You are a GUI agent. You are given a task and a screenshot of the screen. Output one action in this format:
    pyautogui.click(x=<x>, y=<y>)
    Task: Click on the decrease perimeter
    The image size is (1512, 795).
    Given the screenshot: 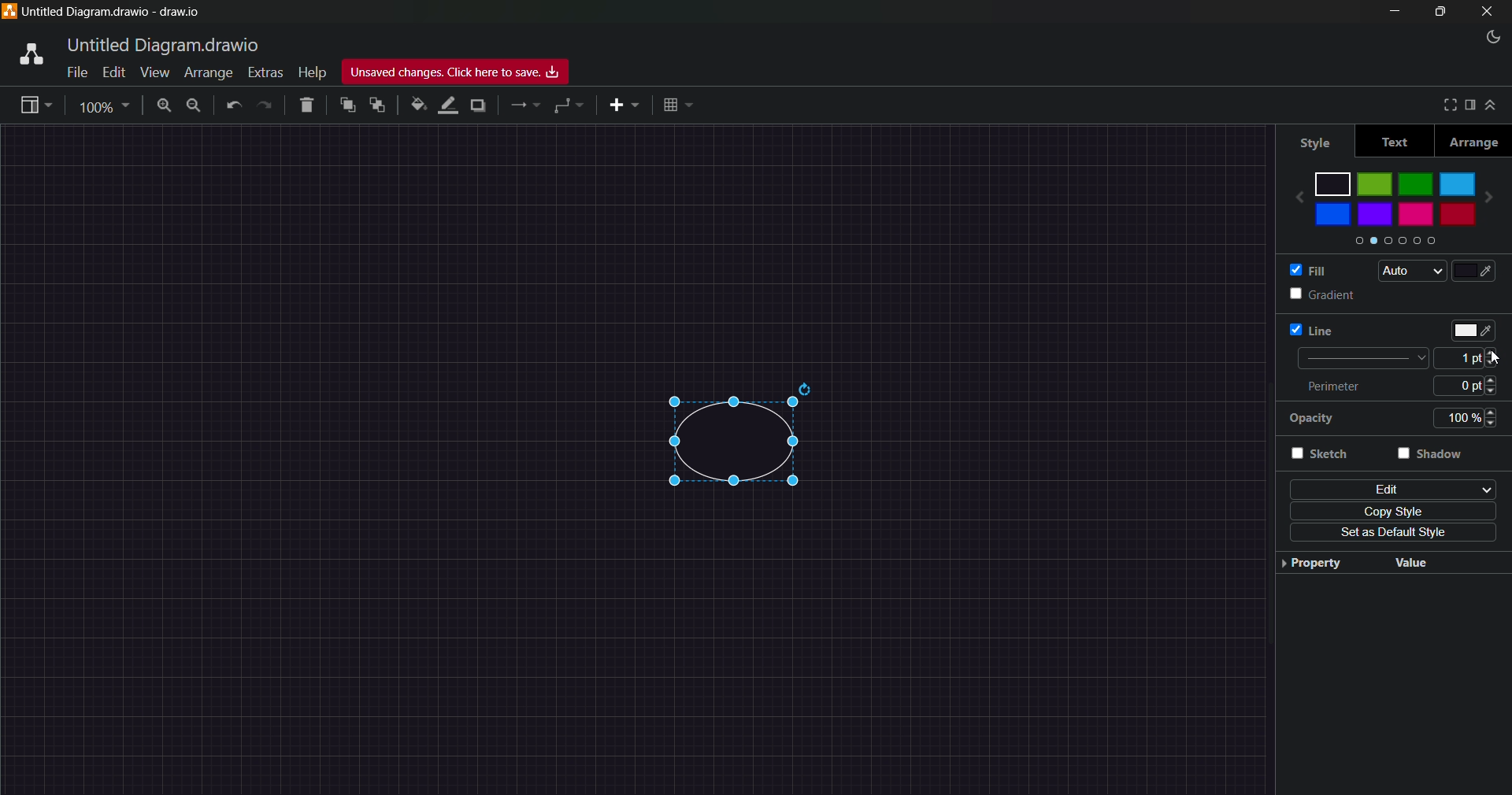 What is the action you would take?
    pyautogui.click(x=1497, y=393)
    